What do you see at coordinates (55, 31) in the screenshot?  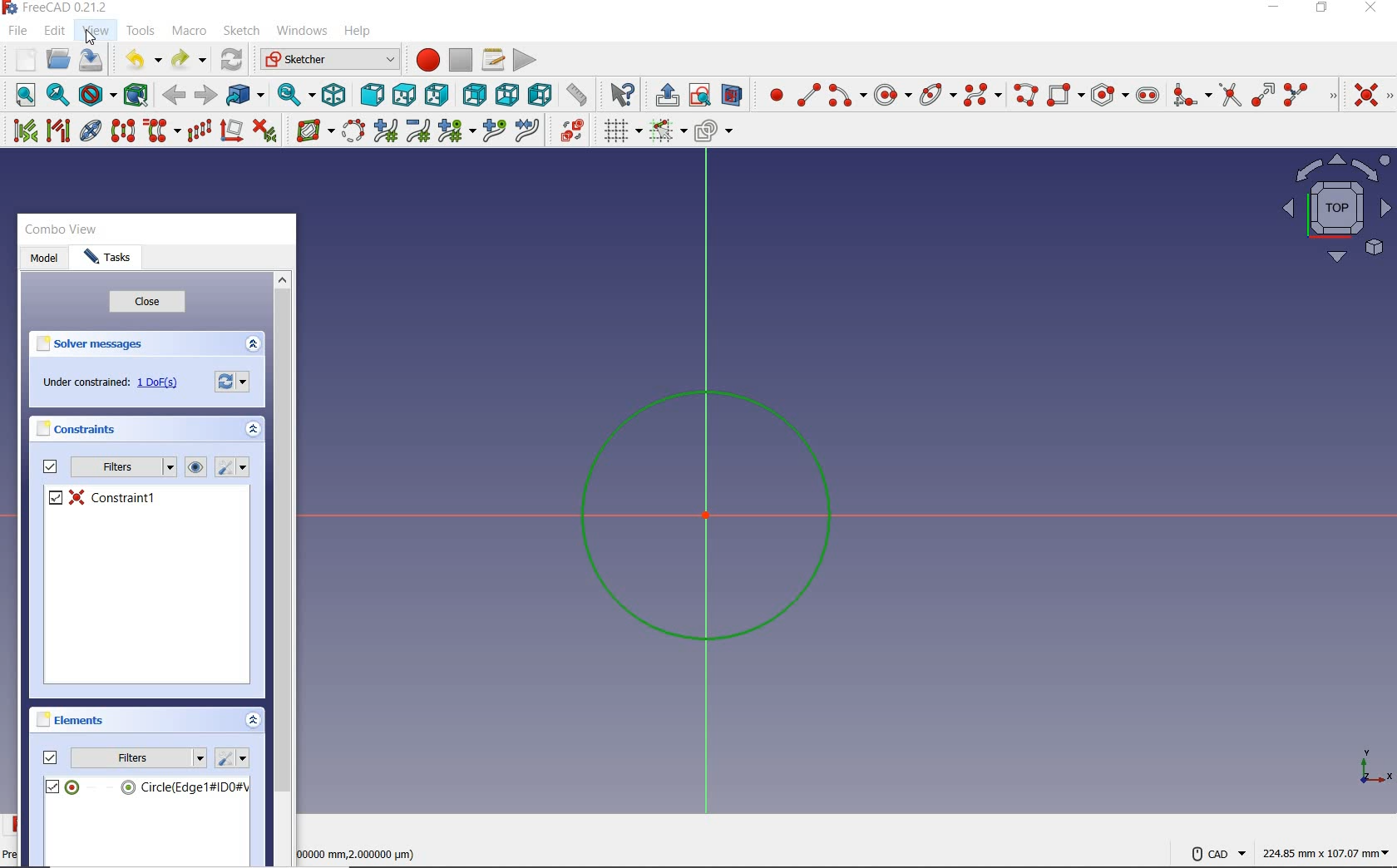 I see `edit` at bounding box center [55, 31].